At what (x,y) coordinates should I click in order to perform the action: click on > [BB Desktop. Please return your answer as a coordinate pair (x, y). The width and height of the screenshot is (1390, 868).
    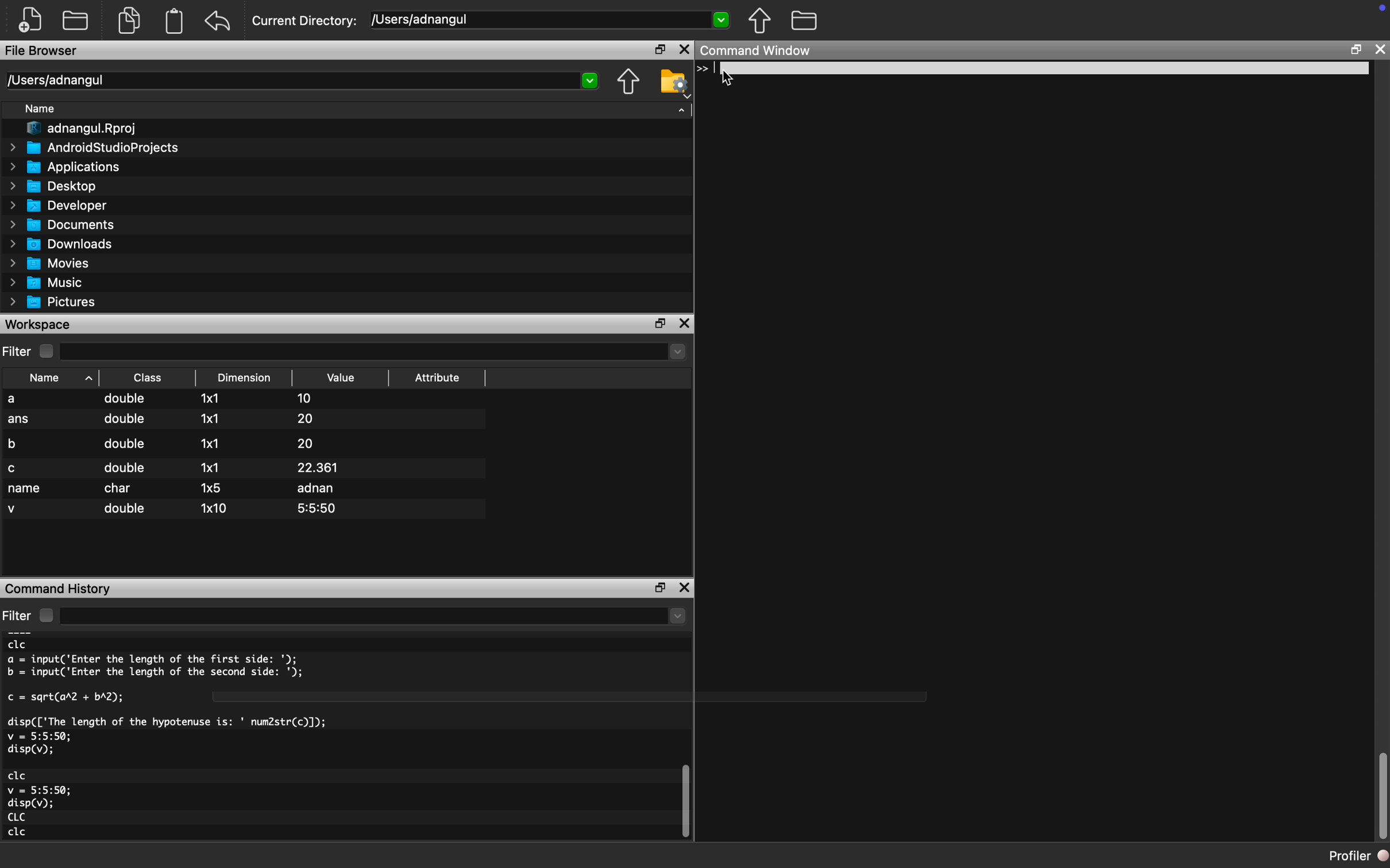
    Looking at the image, I should click on (56, 186).